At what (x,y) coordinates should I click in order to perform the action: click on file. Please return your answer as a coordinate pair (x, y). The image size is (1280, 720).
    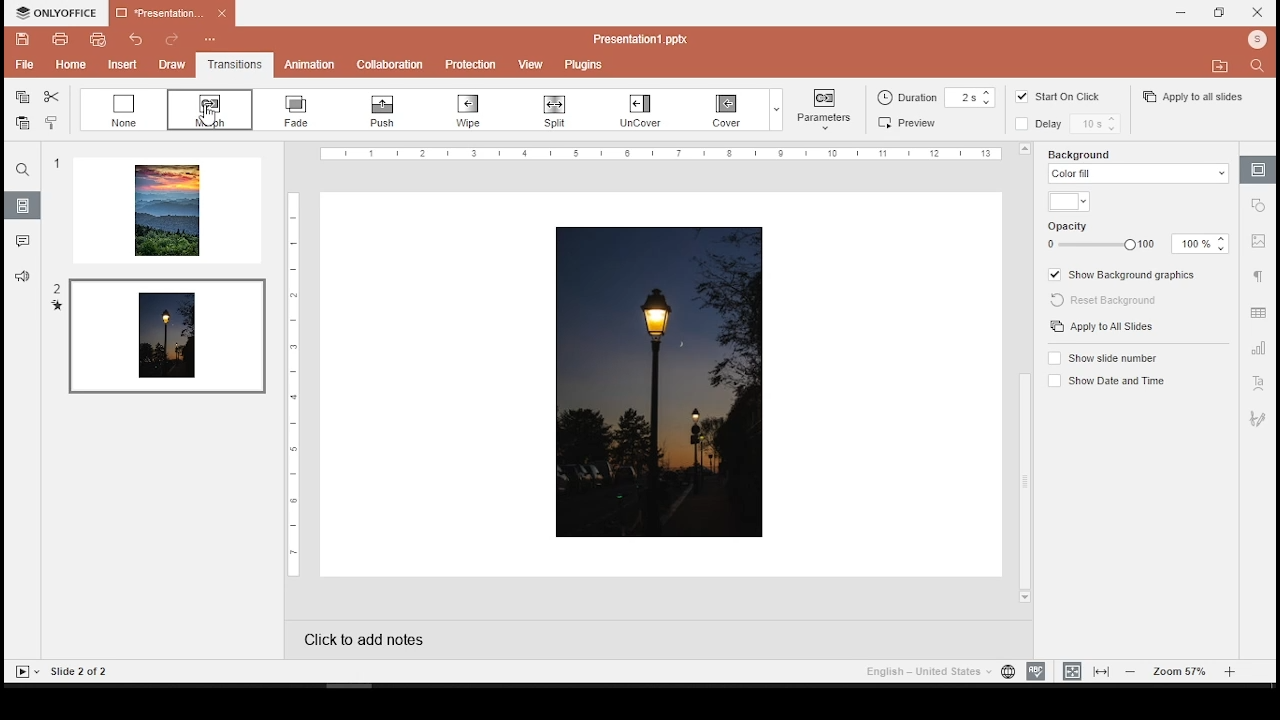
    Looking at the image, I should click on (21, 65).